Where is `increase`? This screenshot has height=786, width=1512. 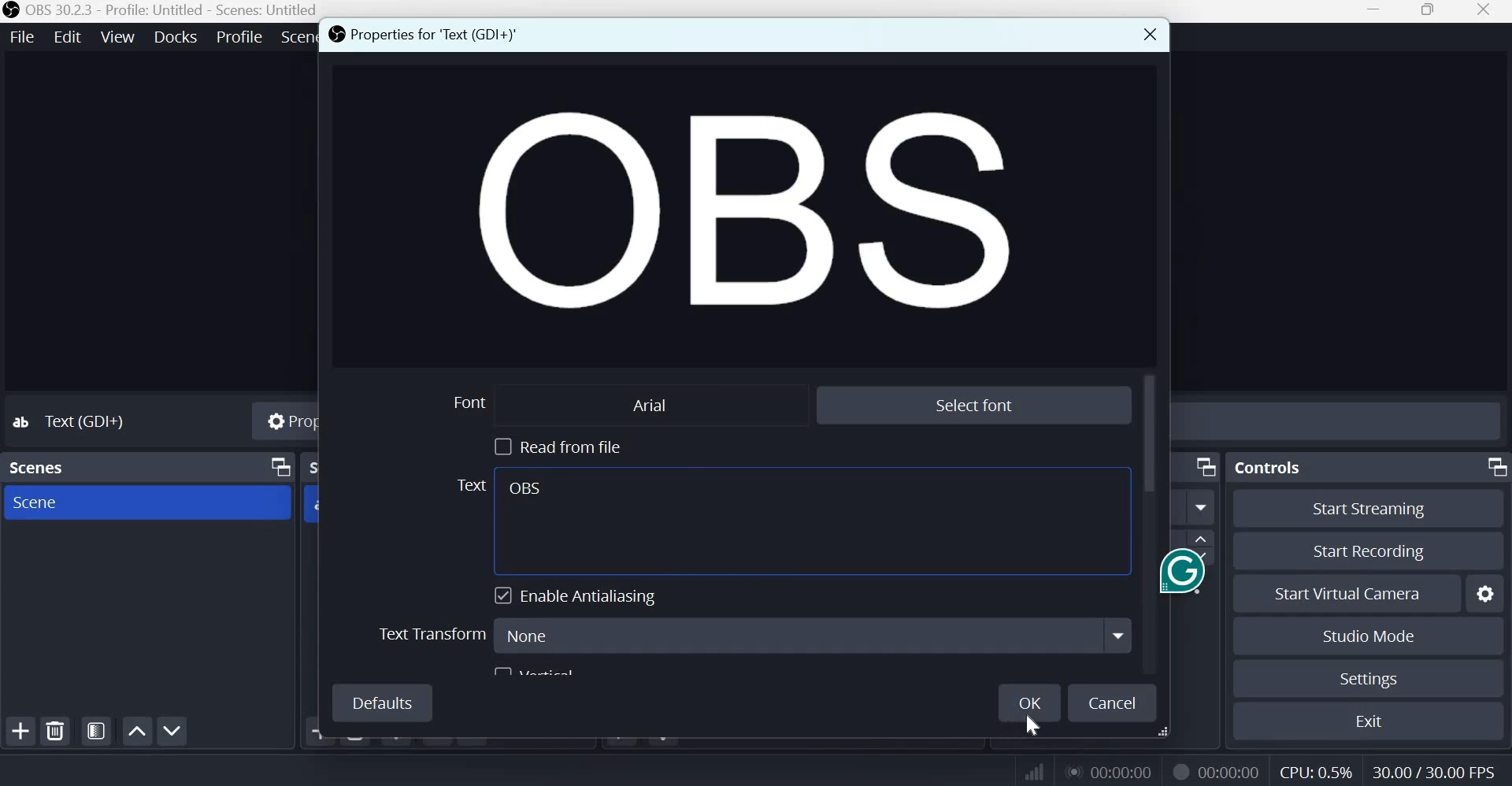
increase is located at coordinates (1202, 539).